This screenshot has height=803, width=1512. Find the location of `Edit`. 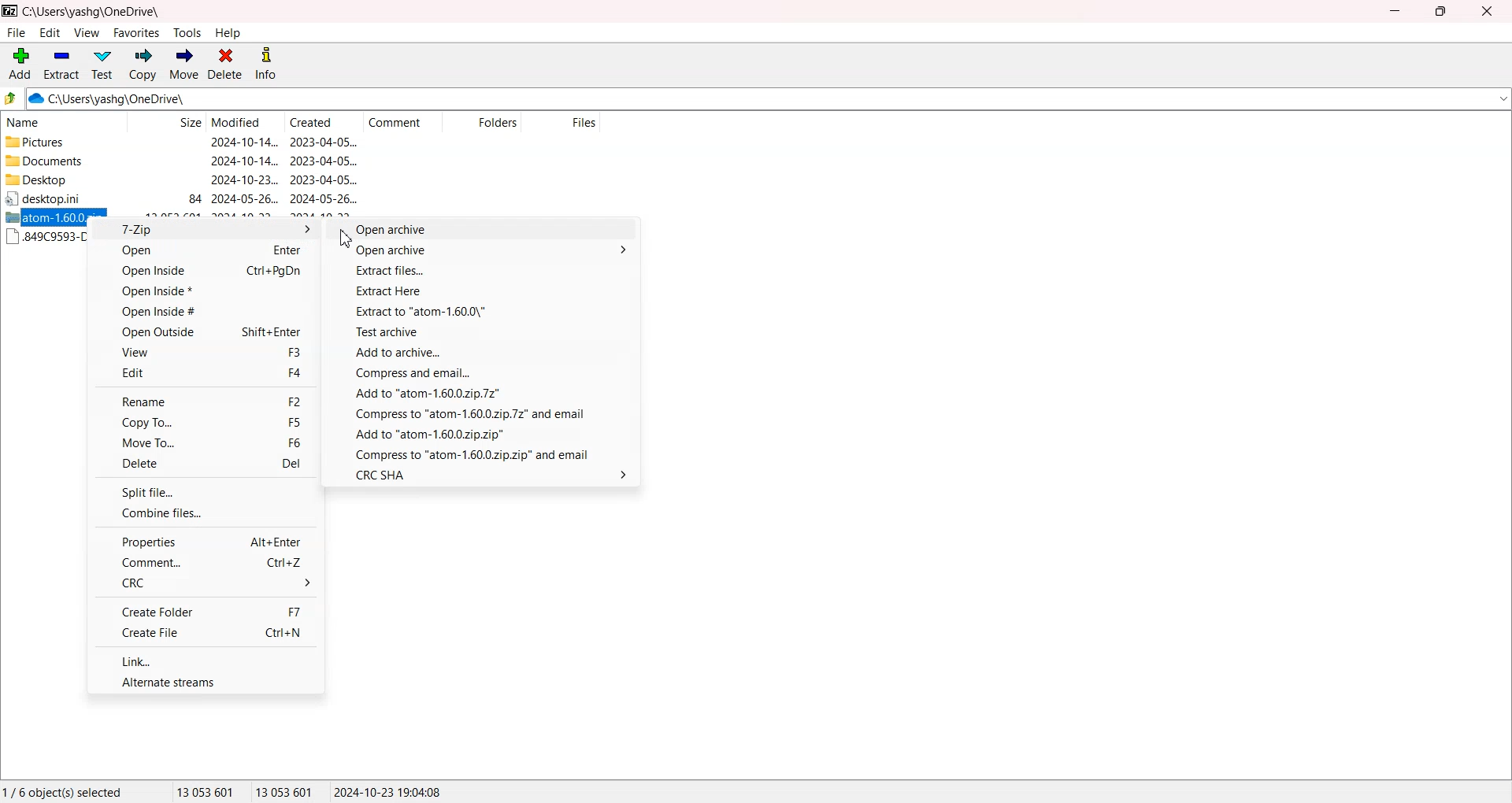

Edit is located at coordinates (205, 372).